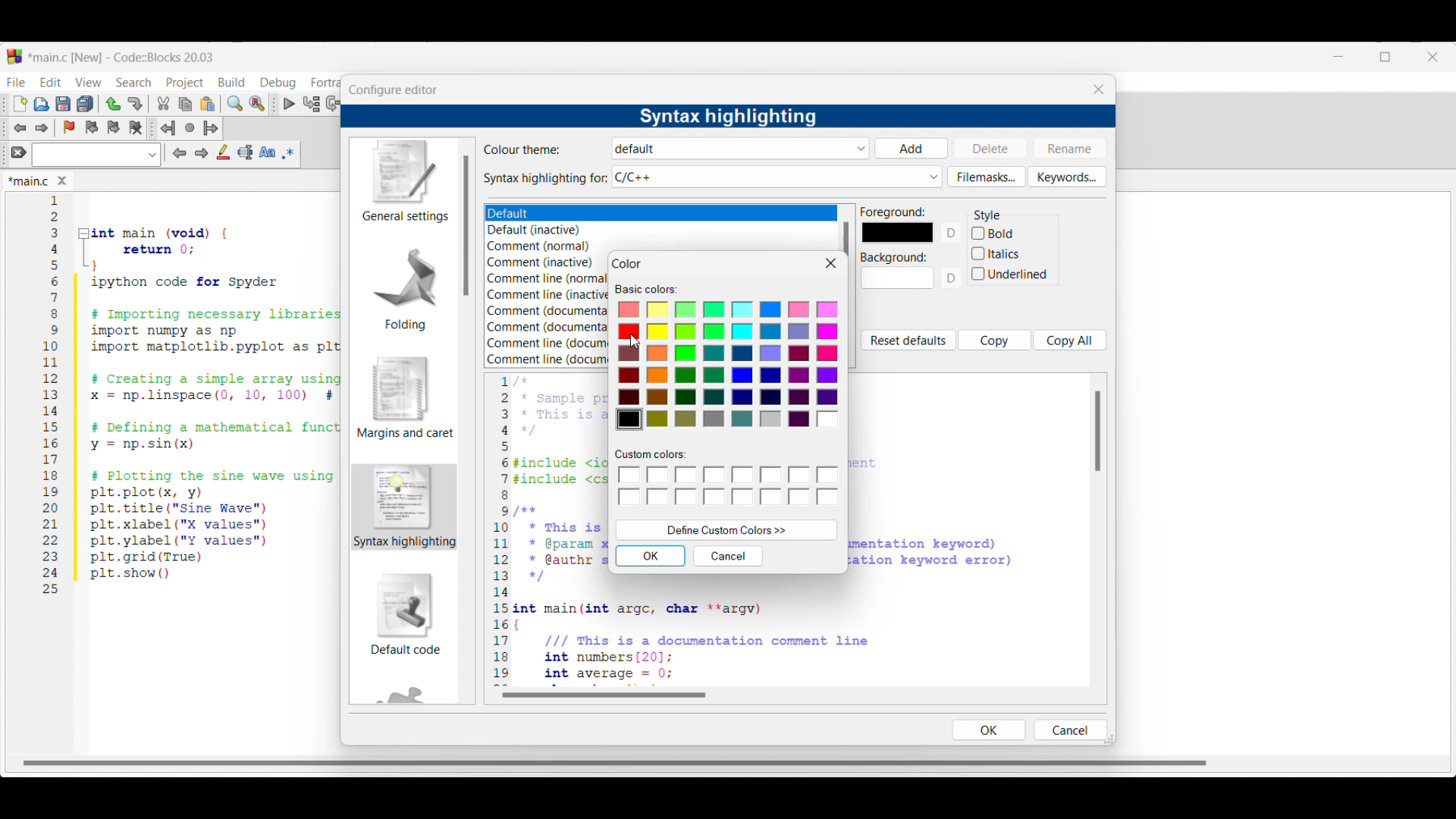 The height and width of the screenshot is (819, 1456). I want to click on Comment (documentation, inactive), so click(544, 328).